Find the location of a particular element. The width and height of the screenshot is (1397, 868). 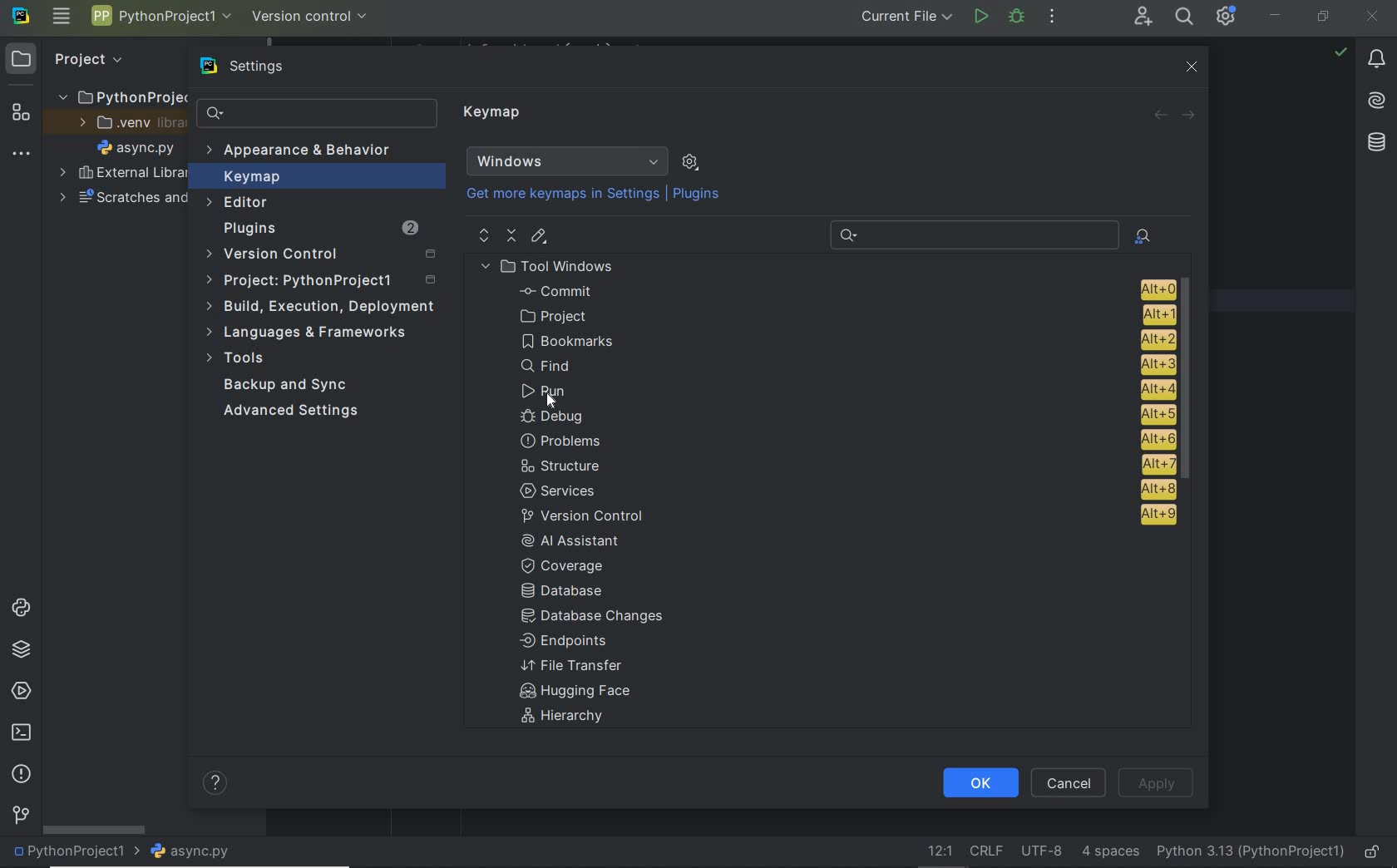

ok is located at coordinates (979, 783).